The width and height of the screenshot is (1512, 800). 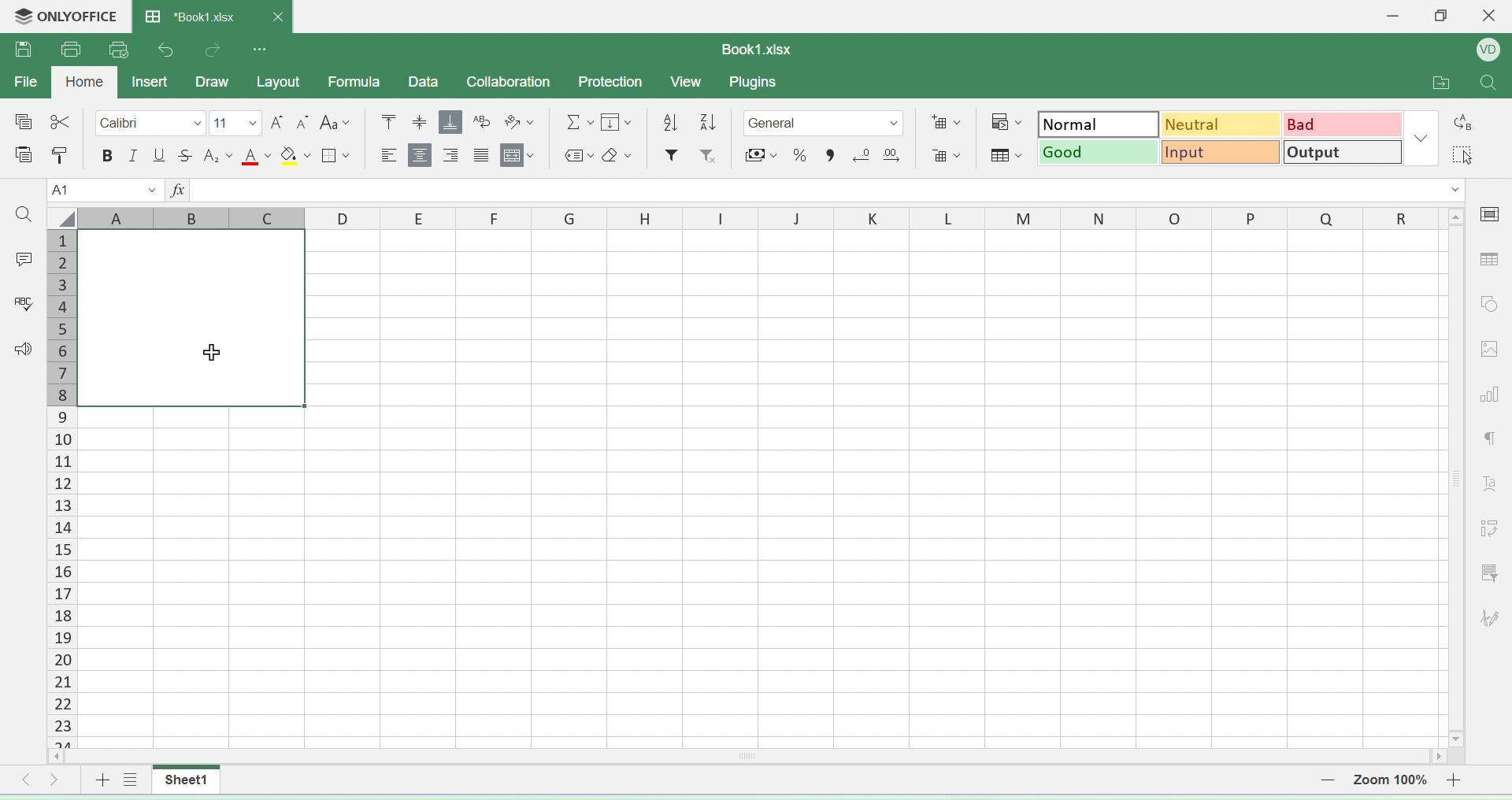 I want to click on remove cells, so click(x=947, y=152).